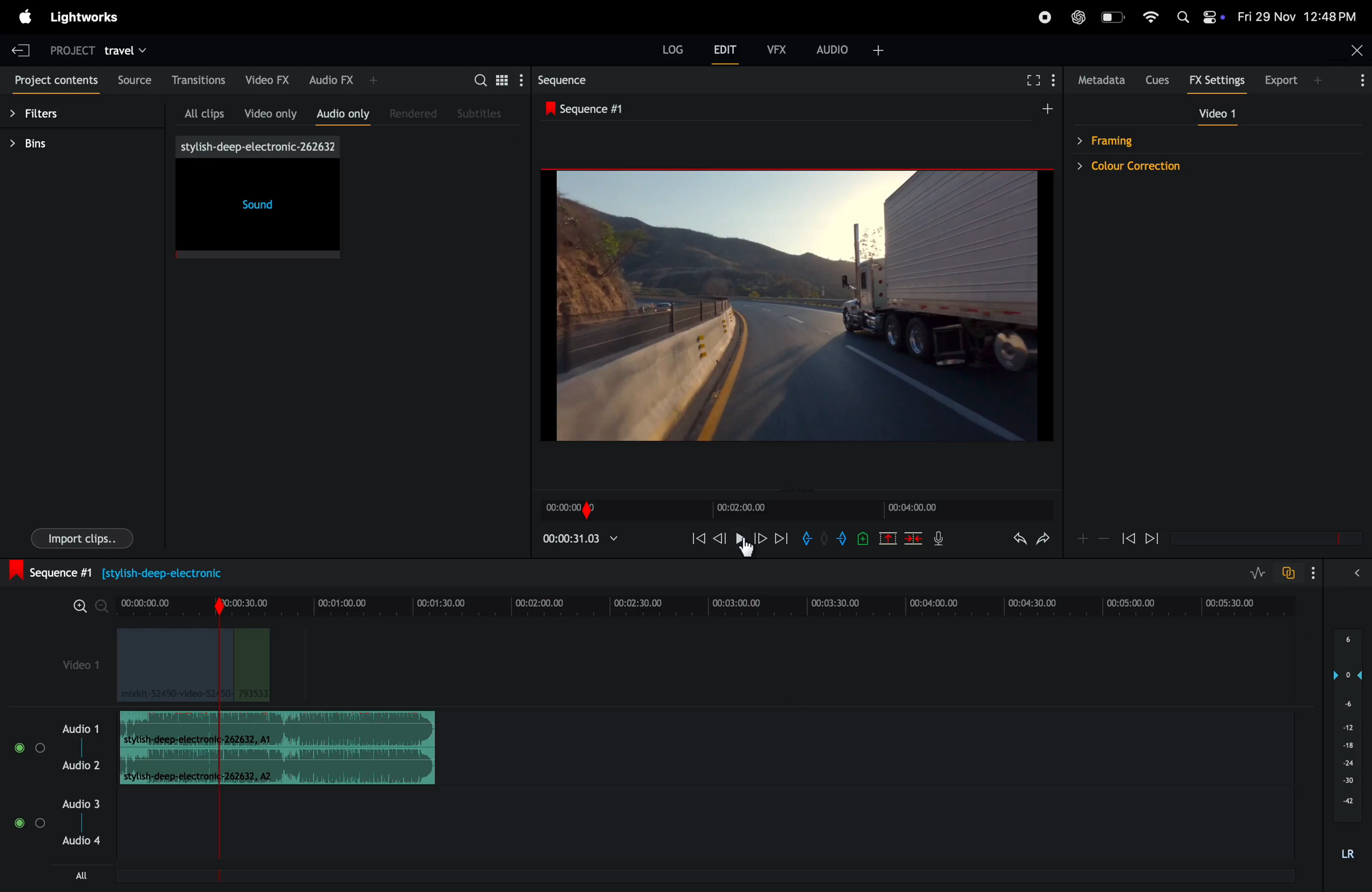 This screenshot has width=1372, height=892. I want to click on travel, so click(133, 49).